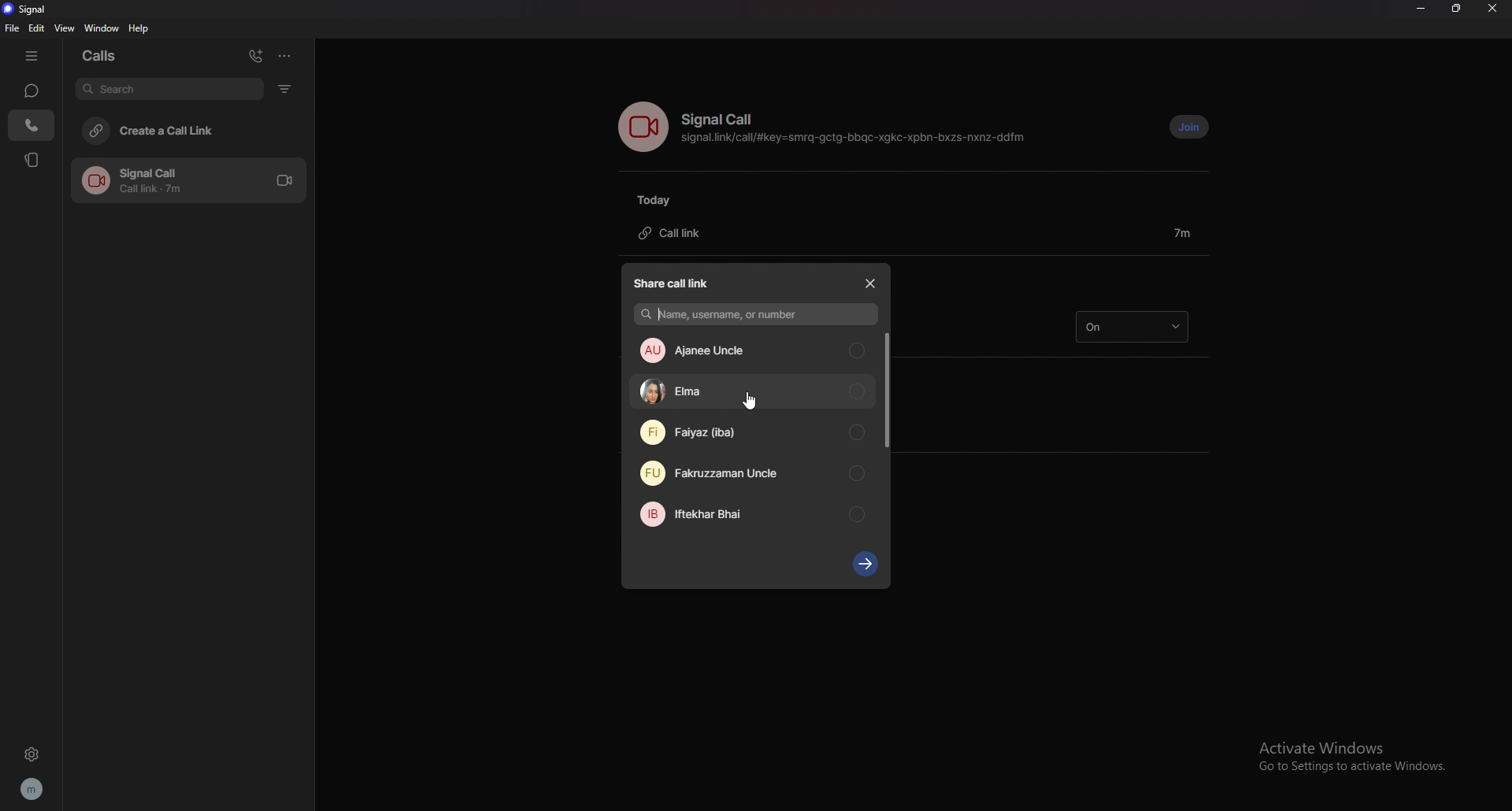 Image resolution: width=1512 pixels, height=811 pixels. I want to click on help, so click(139, 30).